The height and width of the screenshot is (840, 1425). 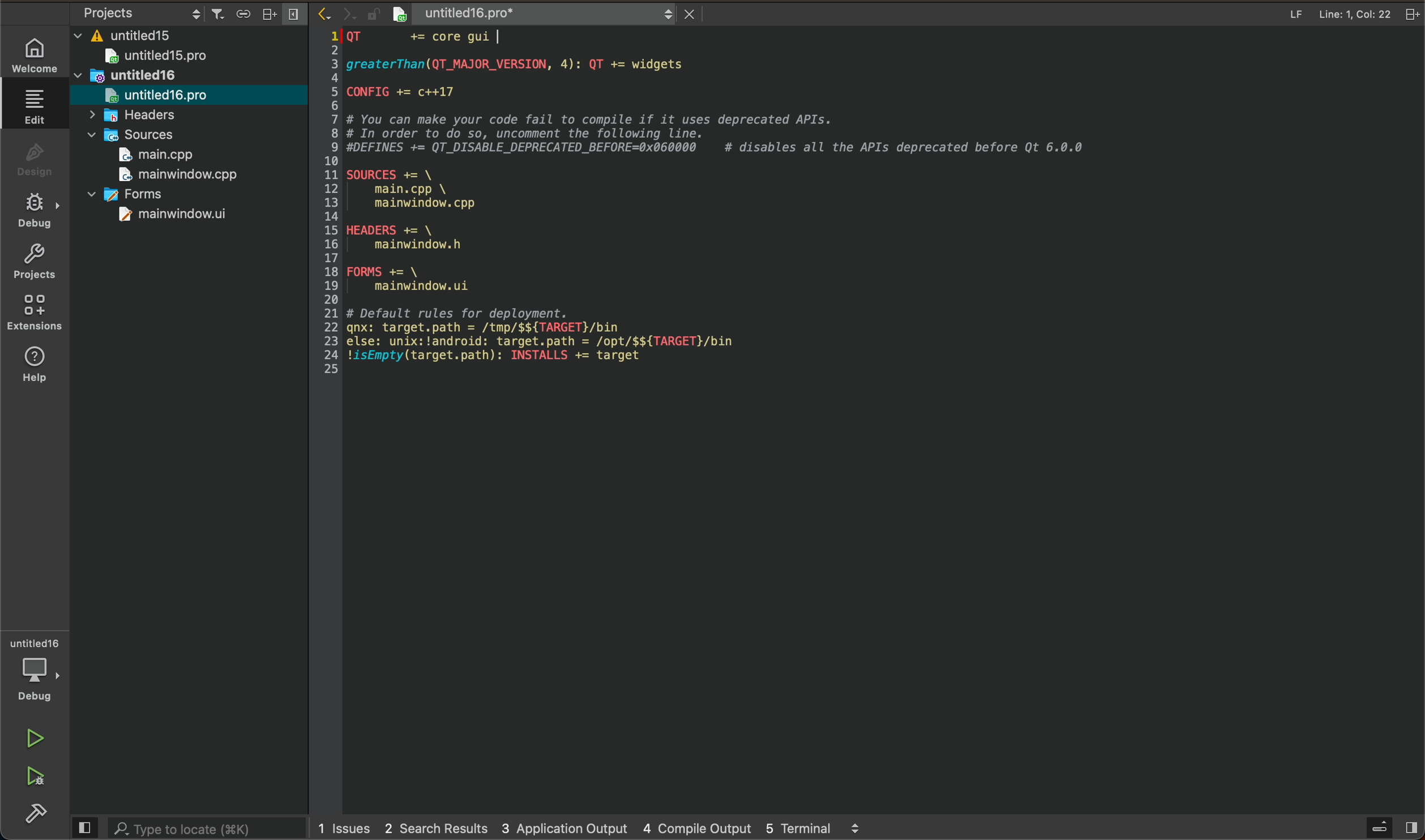 What do you see at coordinates (186, 828) in the screenshot?
I see `search` at bounding box center [186, 828].